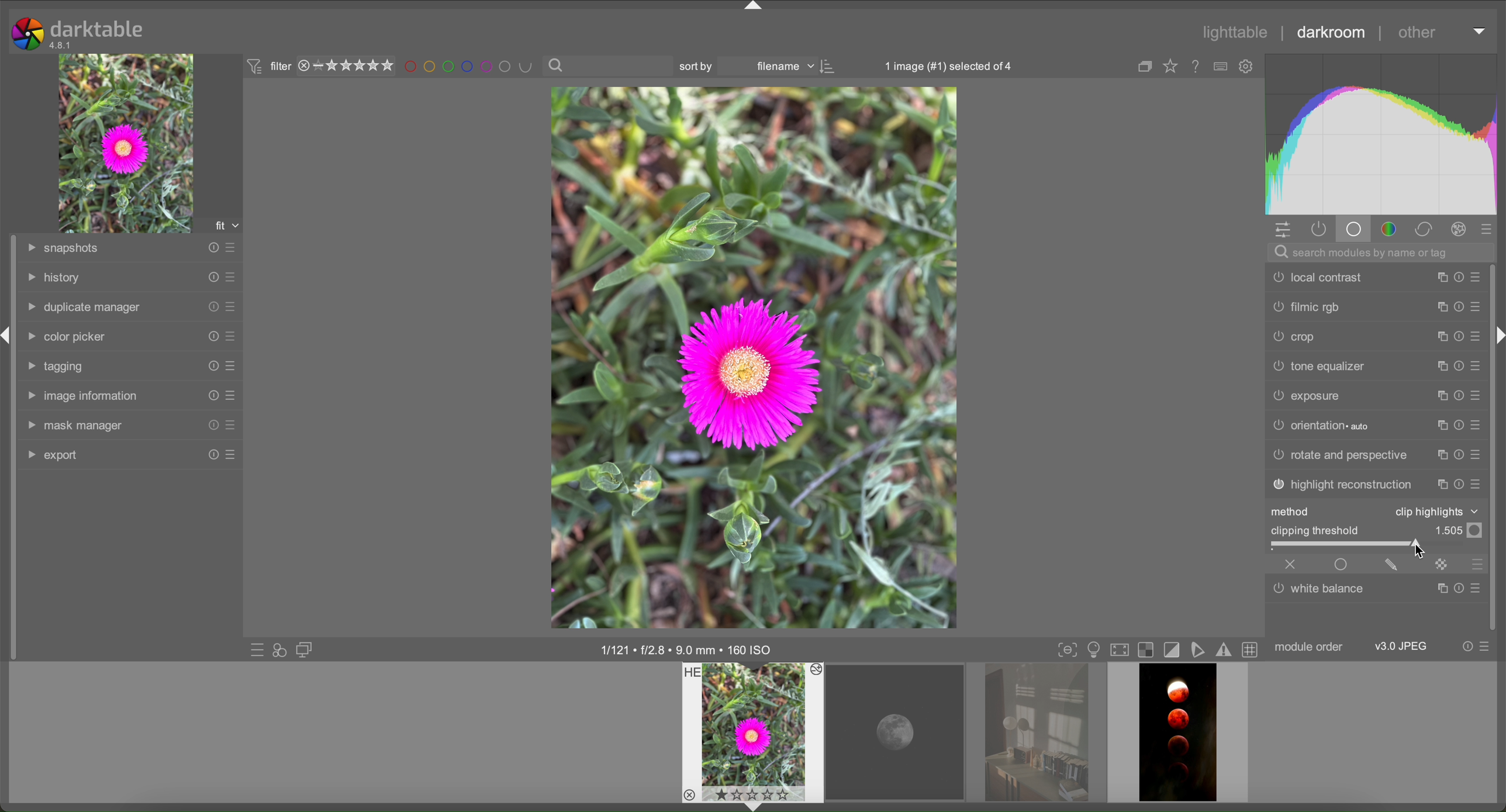 The image size is (1506, 812). What do you see at coordinates (210, 334) in the screenshot?
I see `reset presets` at bounding box center [210, 334].